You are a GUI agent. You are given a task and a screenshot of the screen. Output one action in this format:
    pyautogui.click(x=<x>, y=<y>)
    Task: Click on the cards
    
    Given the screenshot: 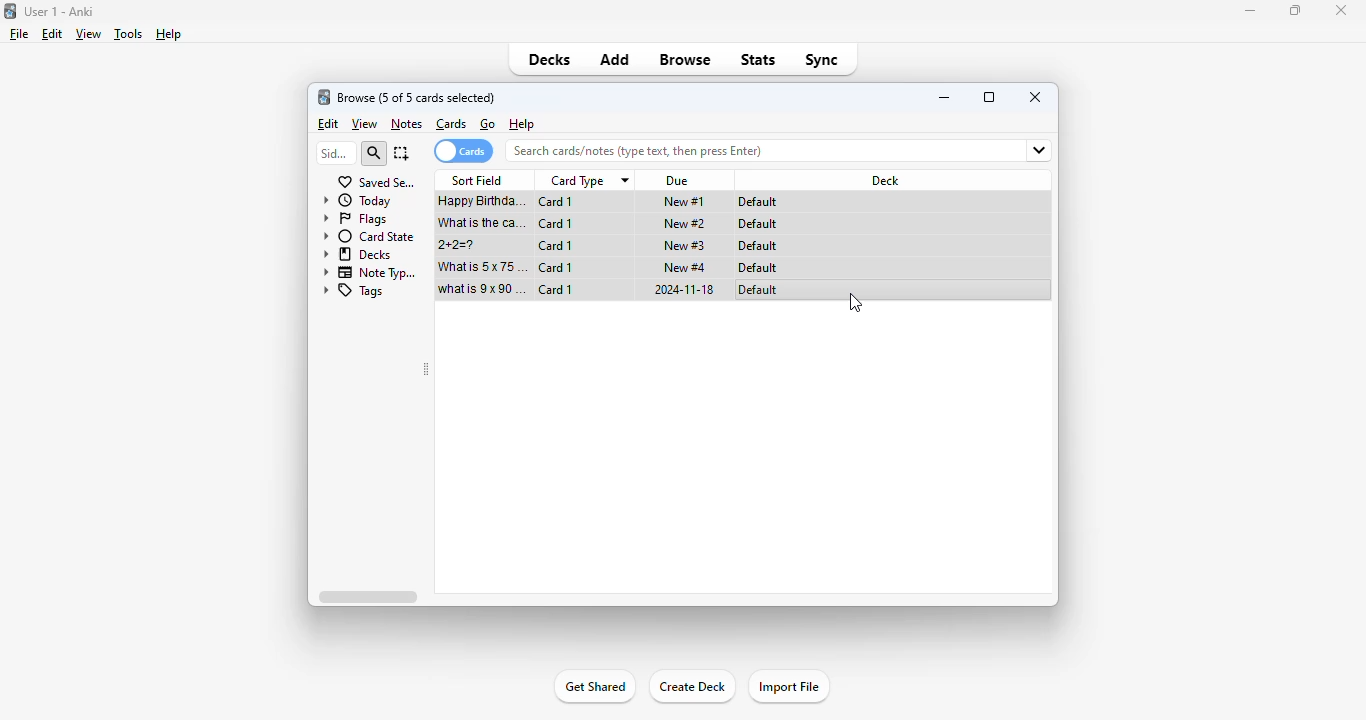 What is the action you would take?
    pyautogui.click(x=451, y=124)
    